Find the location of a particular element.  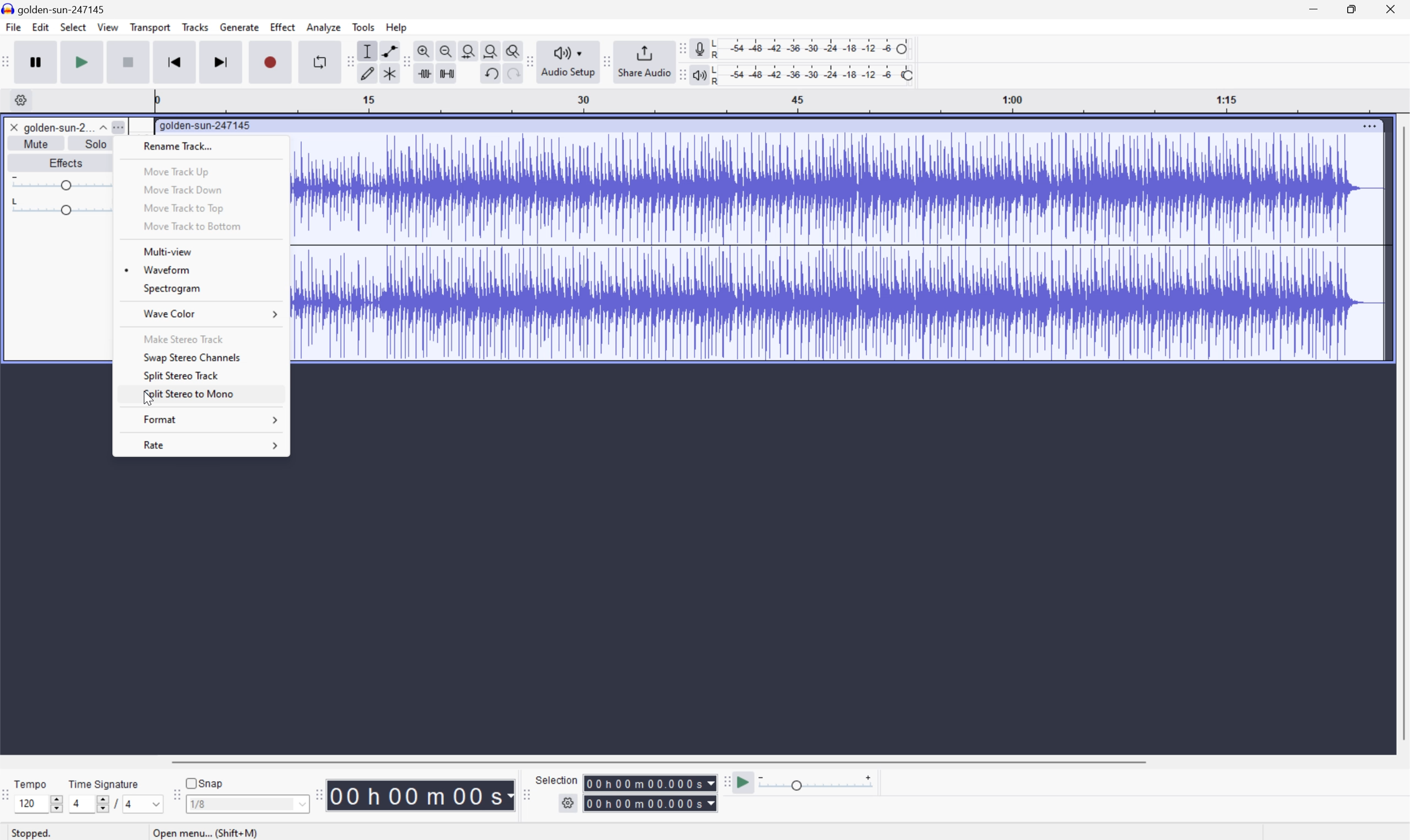

Split is located at coordinates (182, 376).